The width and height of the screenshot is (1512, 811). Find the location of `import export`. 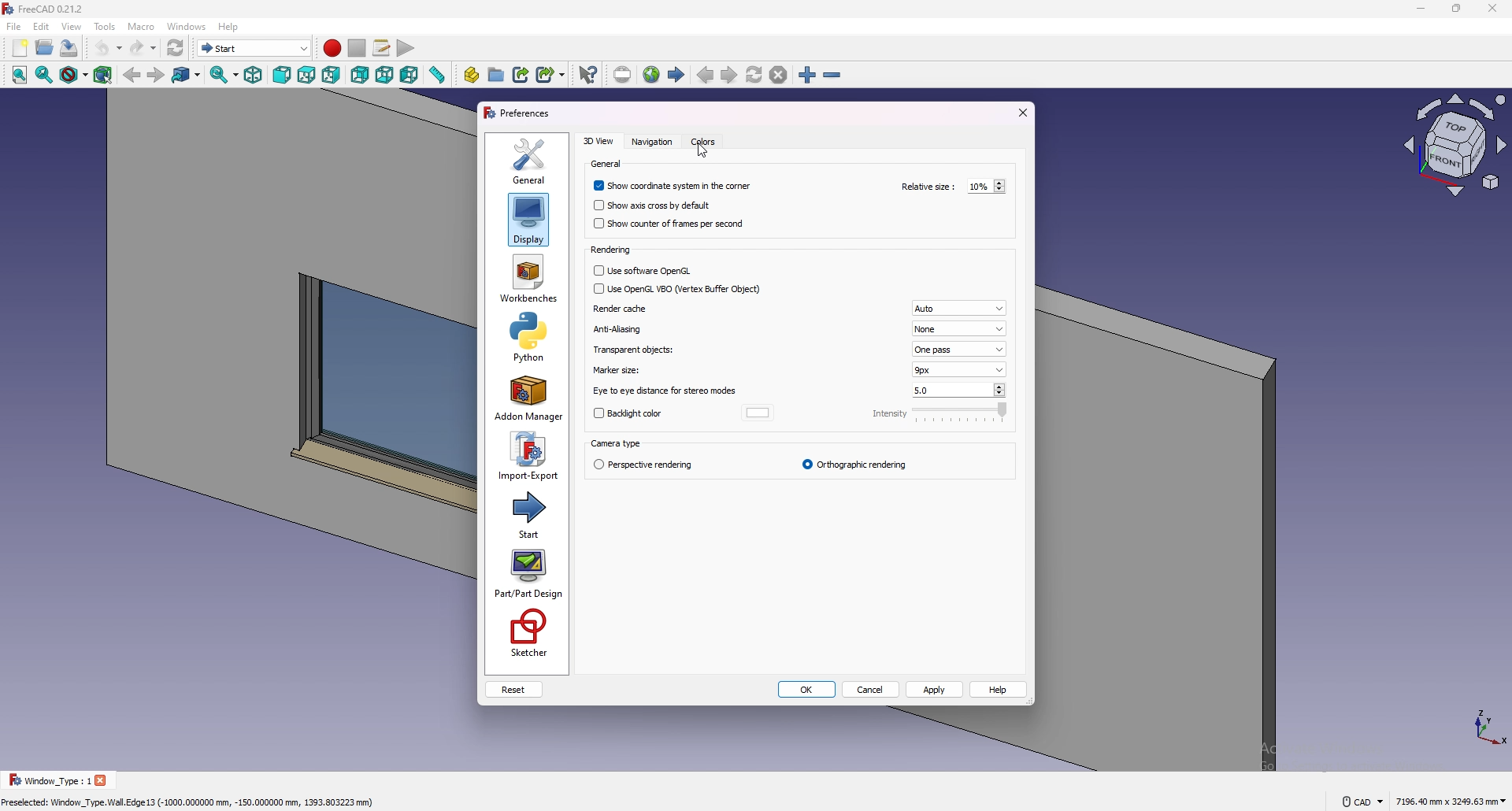

import export is located at coordinates (528, 456).